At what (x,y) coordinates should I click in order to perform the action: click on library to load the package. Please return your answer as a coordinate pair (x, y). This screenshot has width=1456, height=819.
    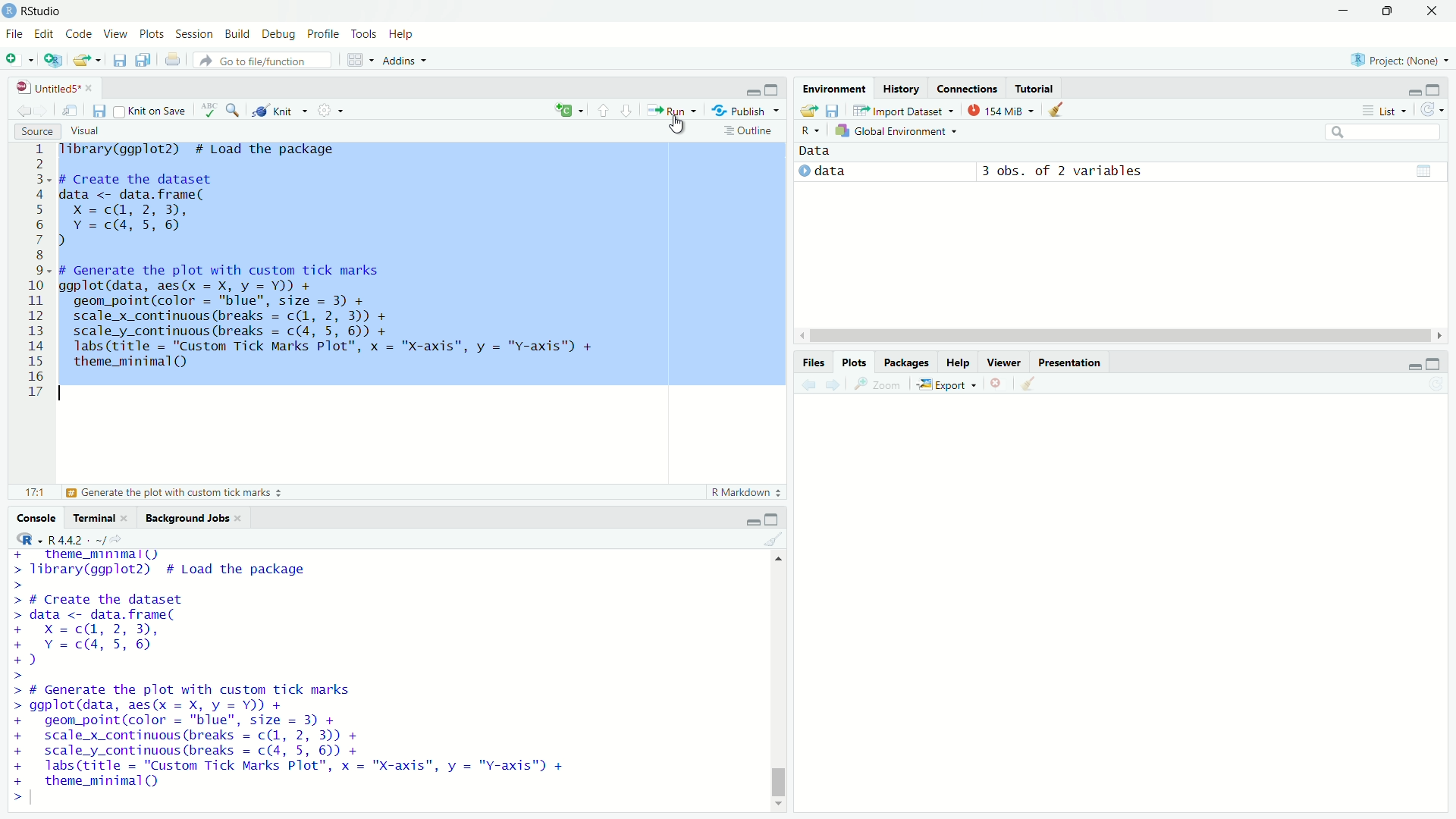
    Looking at the image, I should click on (204, 563).